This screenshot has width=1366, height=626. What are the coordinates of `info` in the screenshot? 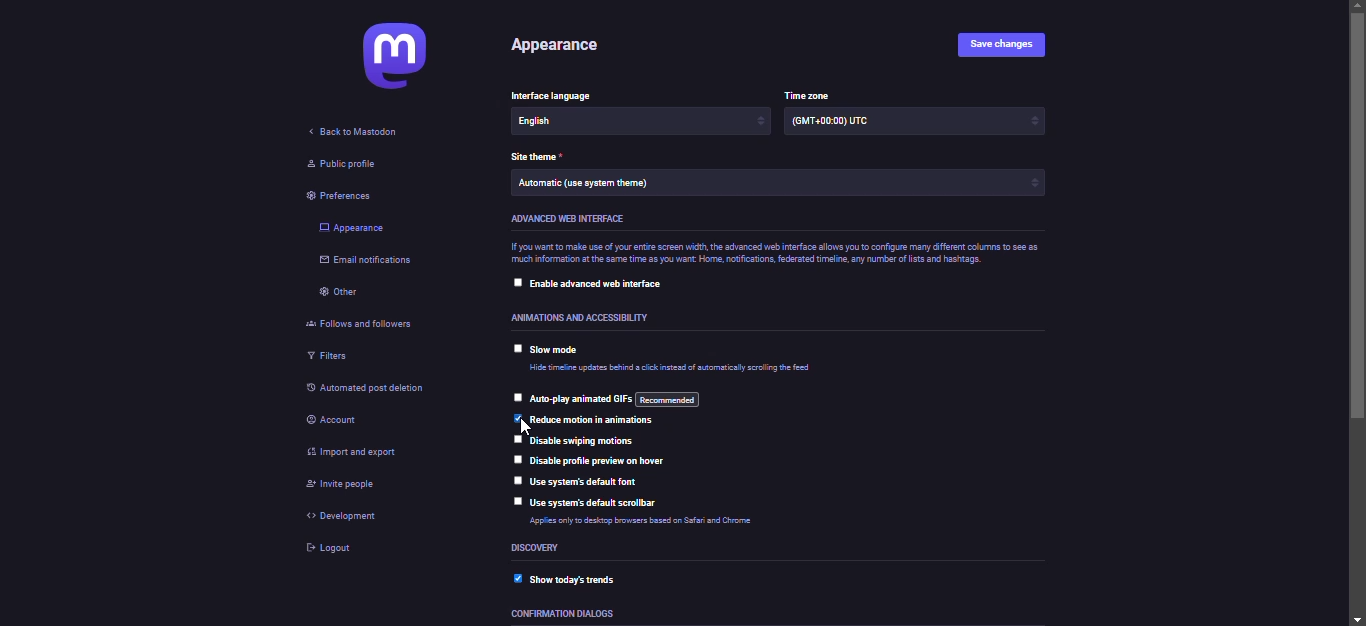 It's located at (783, 251).